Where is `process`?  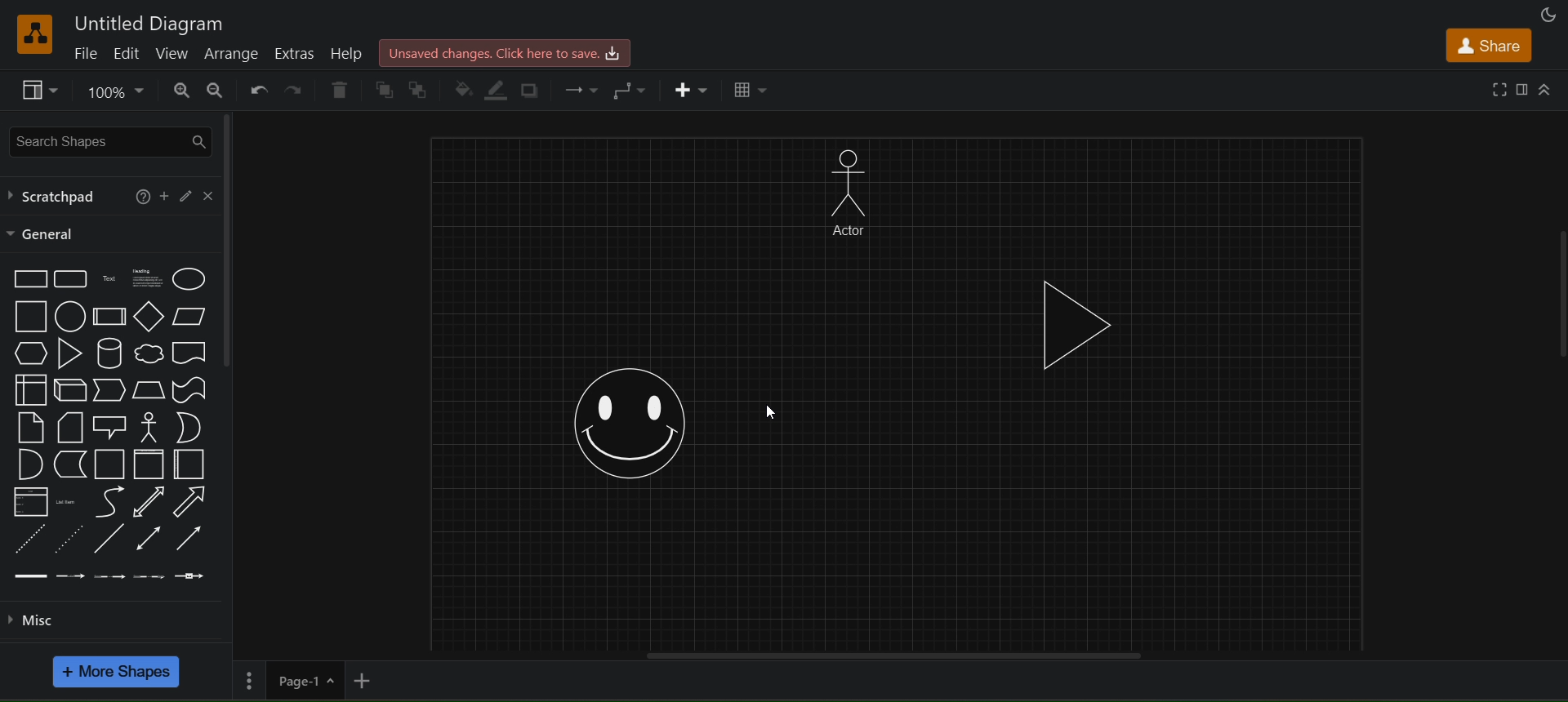
process is located at coordinates (106, 317).